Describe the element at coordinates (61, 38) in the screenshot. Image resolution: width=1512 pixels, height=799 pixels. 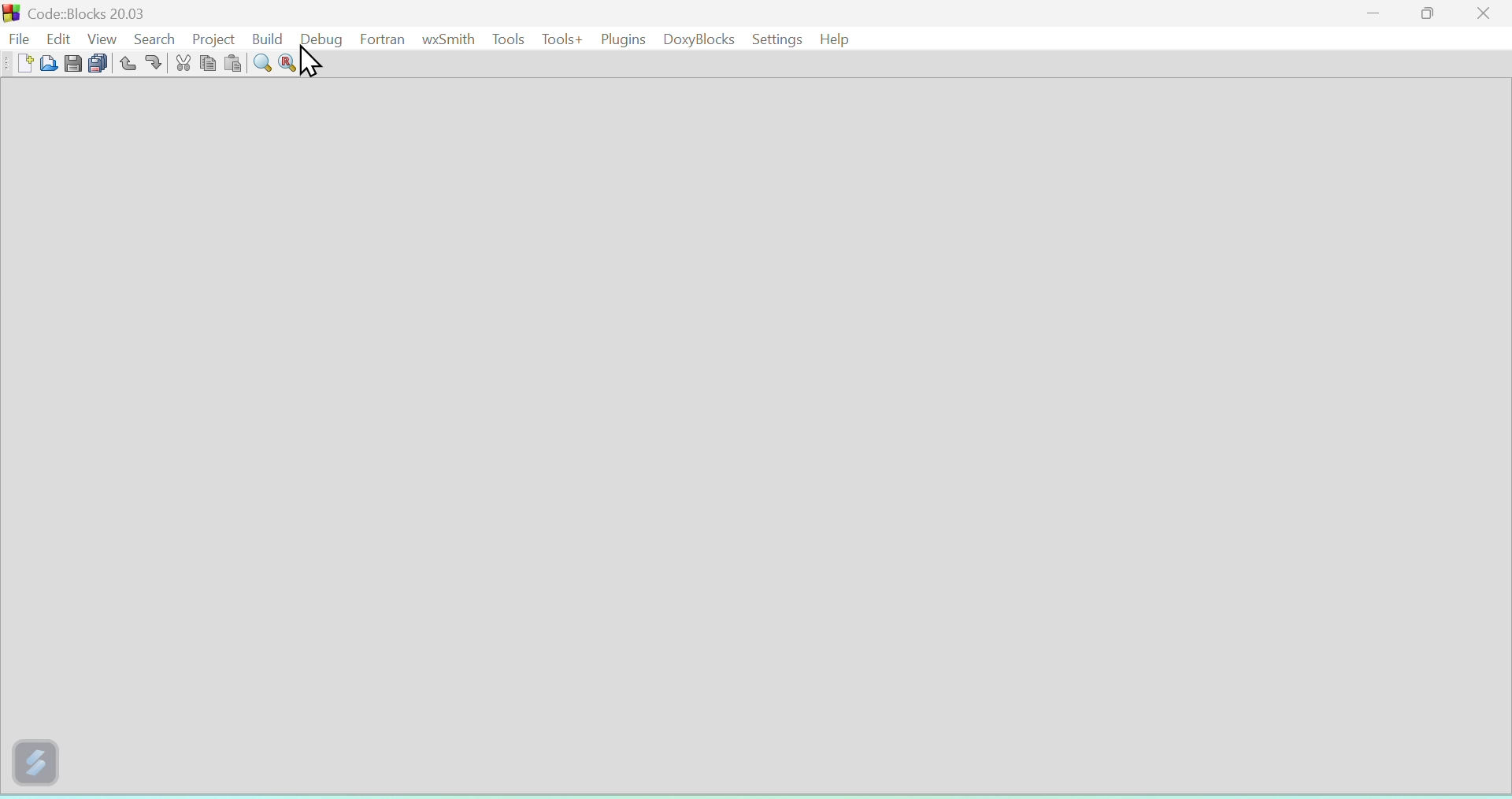
I see `Edit` at that location.